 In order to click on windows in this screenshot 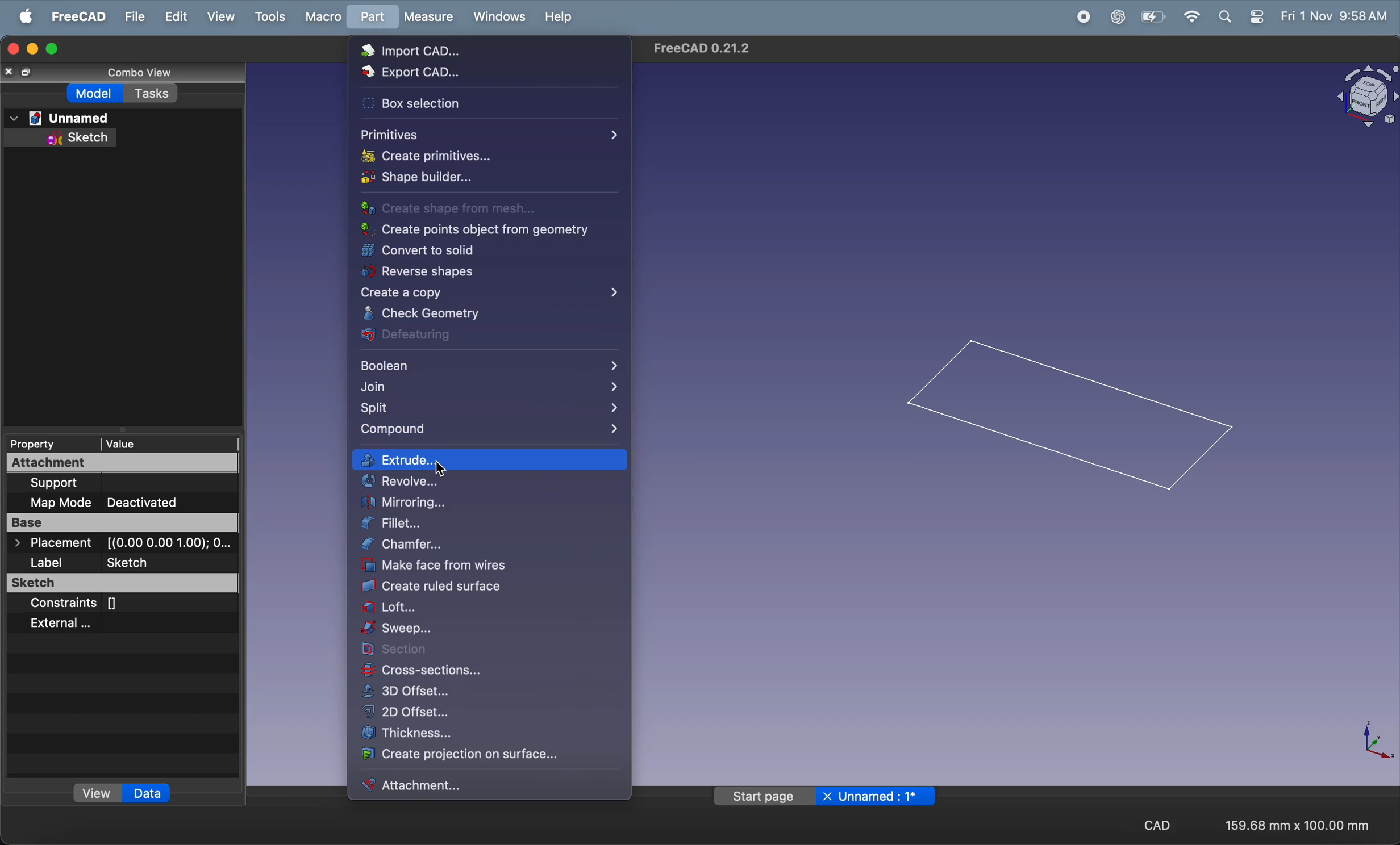, I will do `click(495, 18)`.